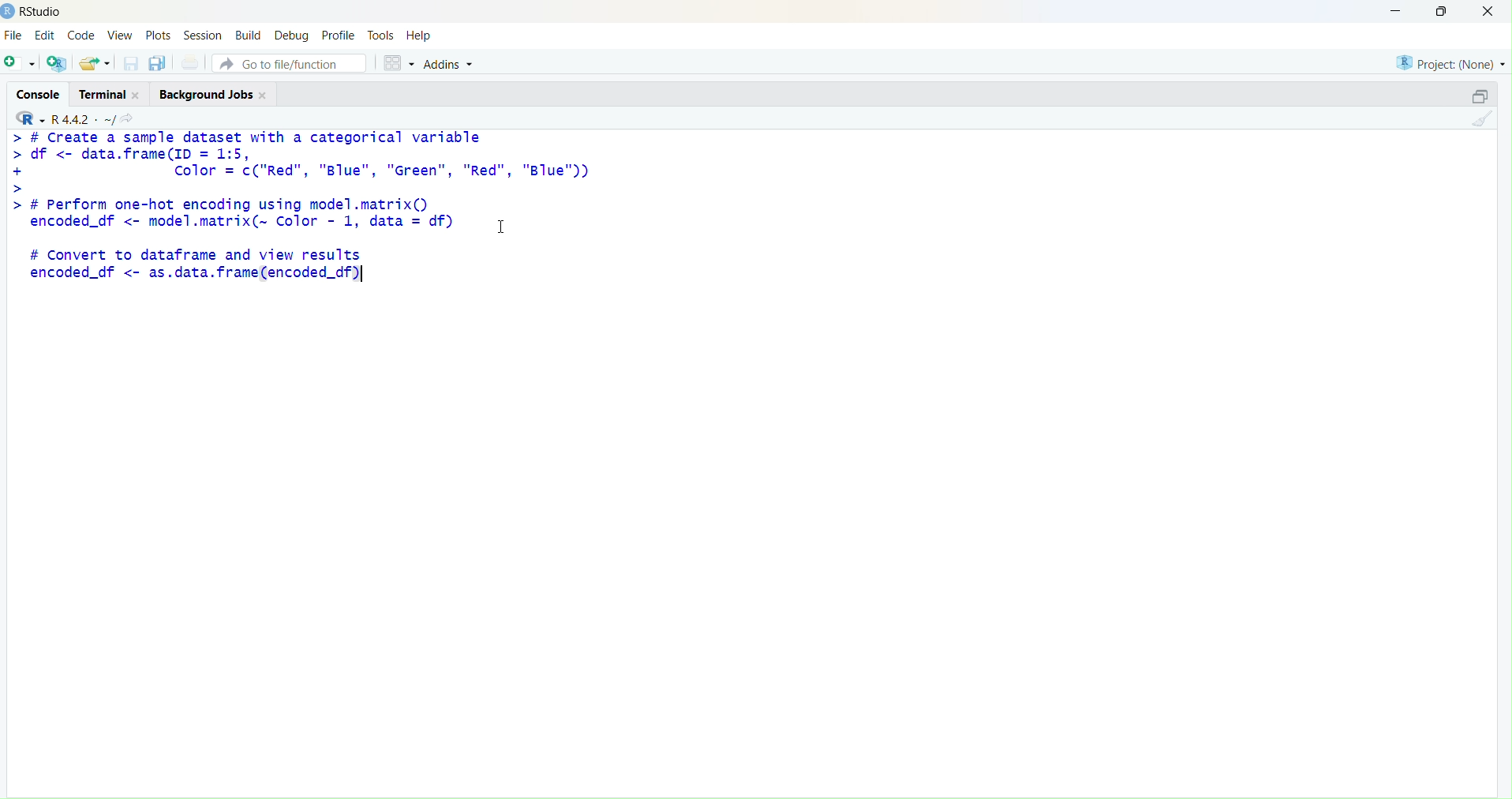 This screenshot has height=799, width=1512. What do you see at coordinates (95, 63) in the screenshot?
I see `share folder as` at bounding box center [95, 63].